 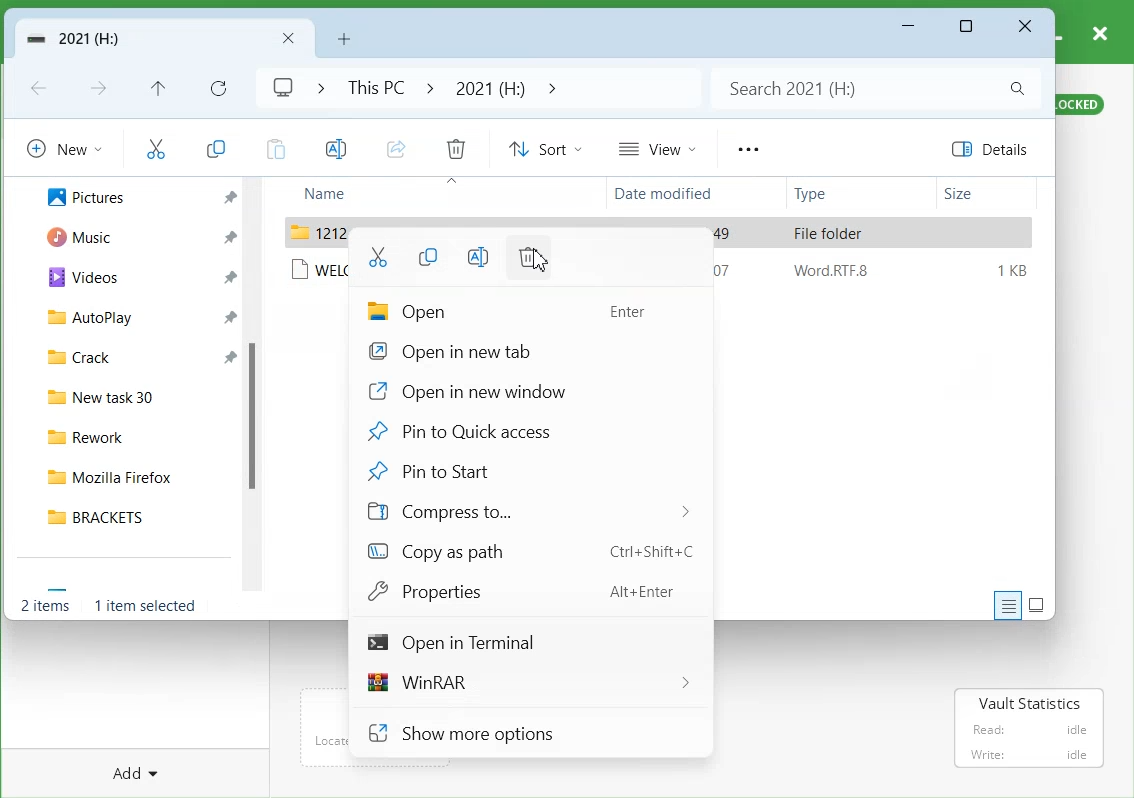 What do you see at coordinates (427, 256) in the screenshot?
I see `Copy` at bounding box center [427, 256].